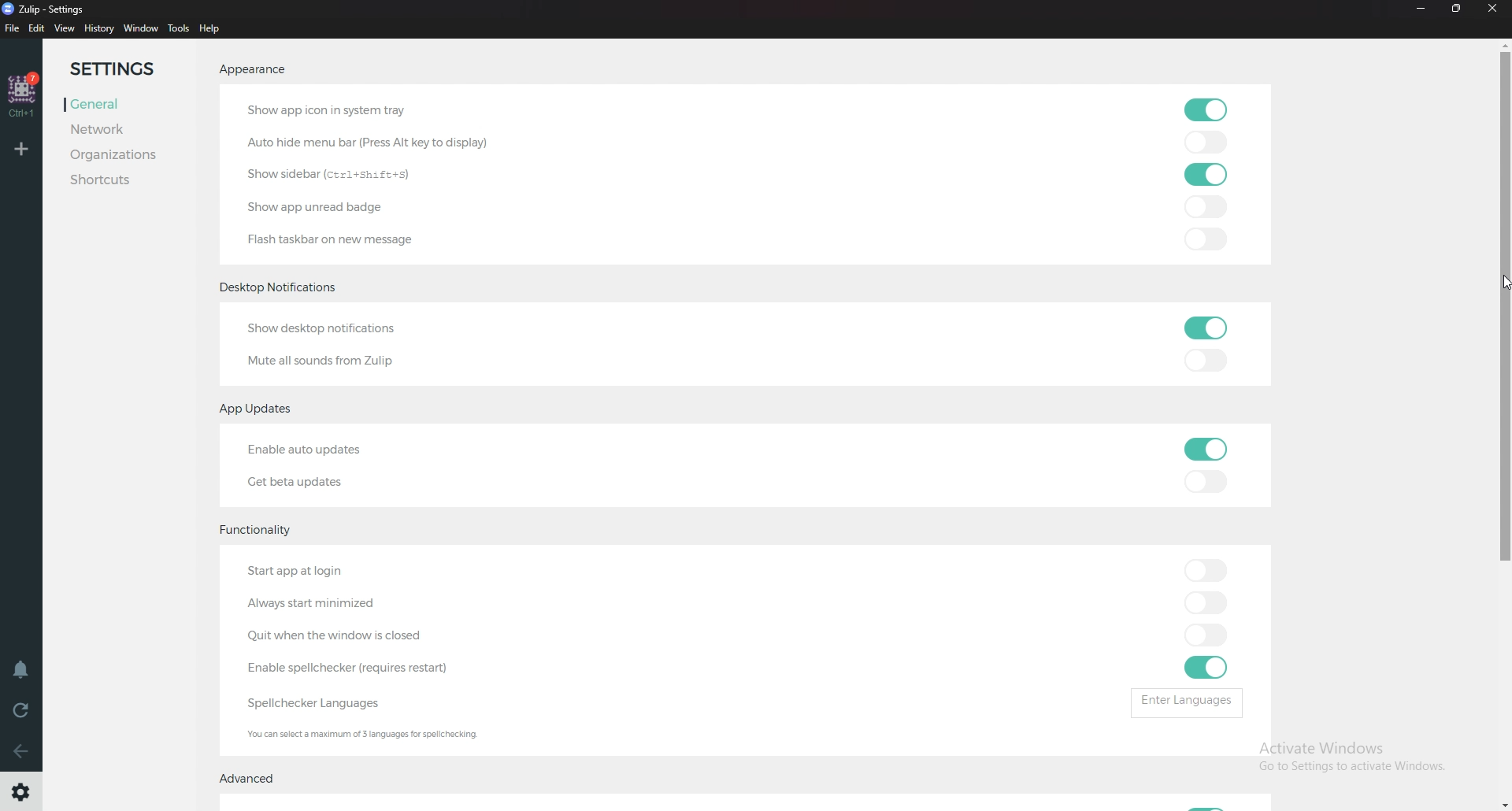  Describe the element at coordinates (324, 602) in the screenshot. I see `Always start minimized` at that location.